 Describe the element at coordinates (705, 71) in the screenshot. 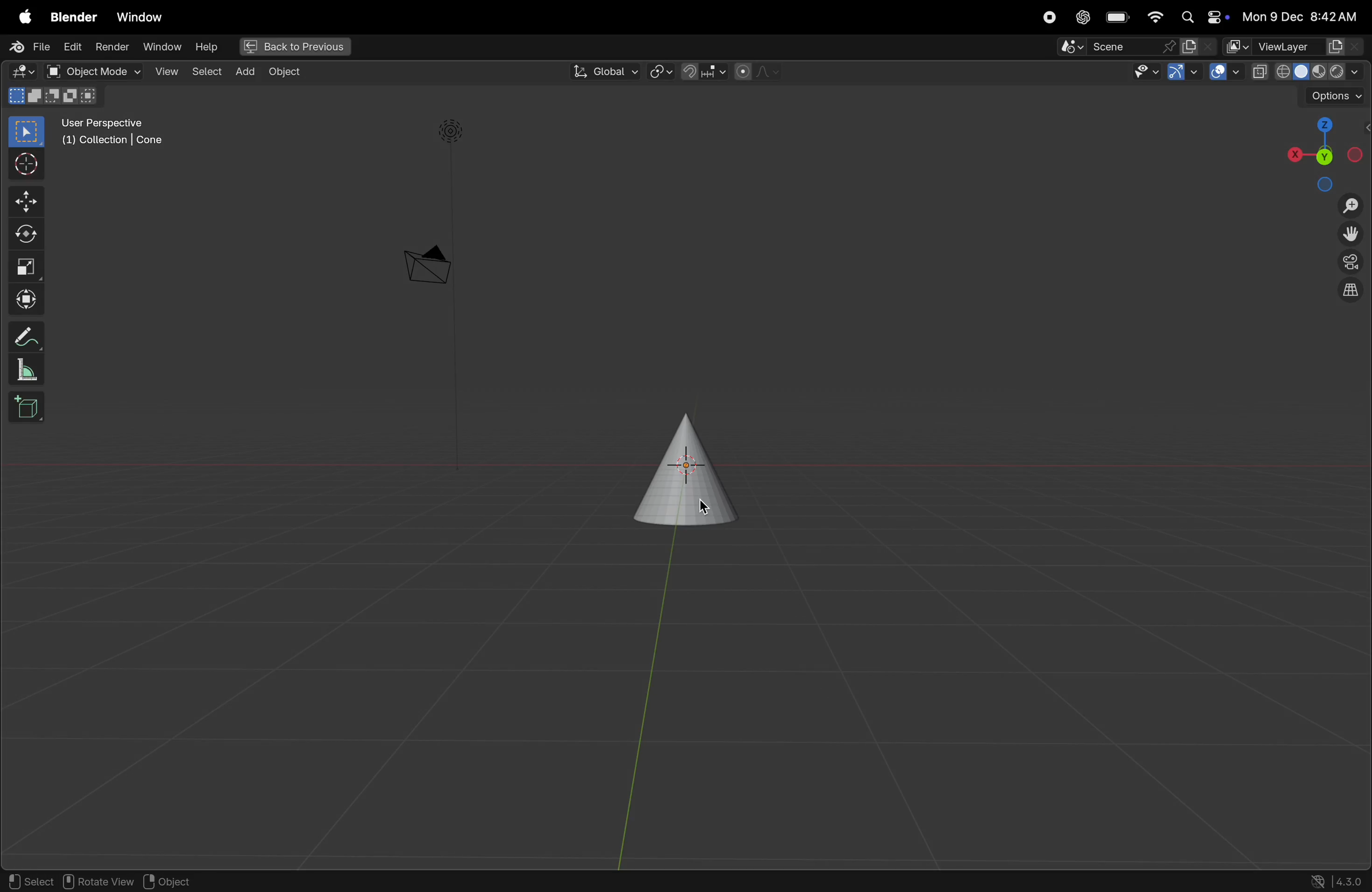

I see `snapping` at that location.